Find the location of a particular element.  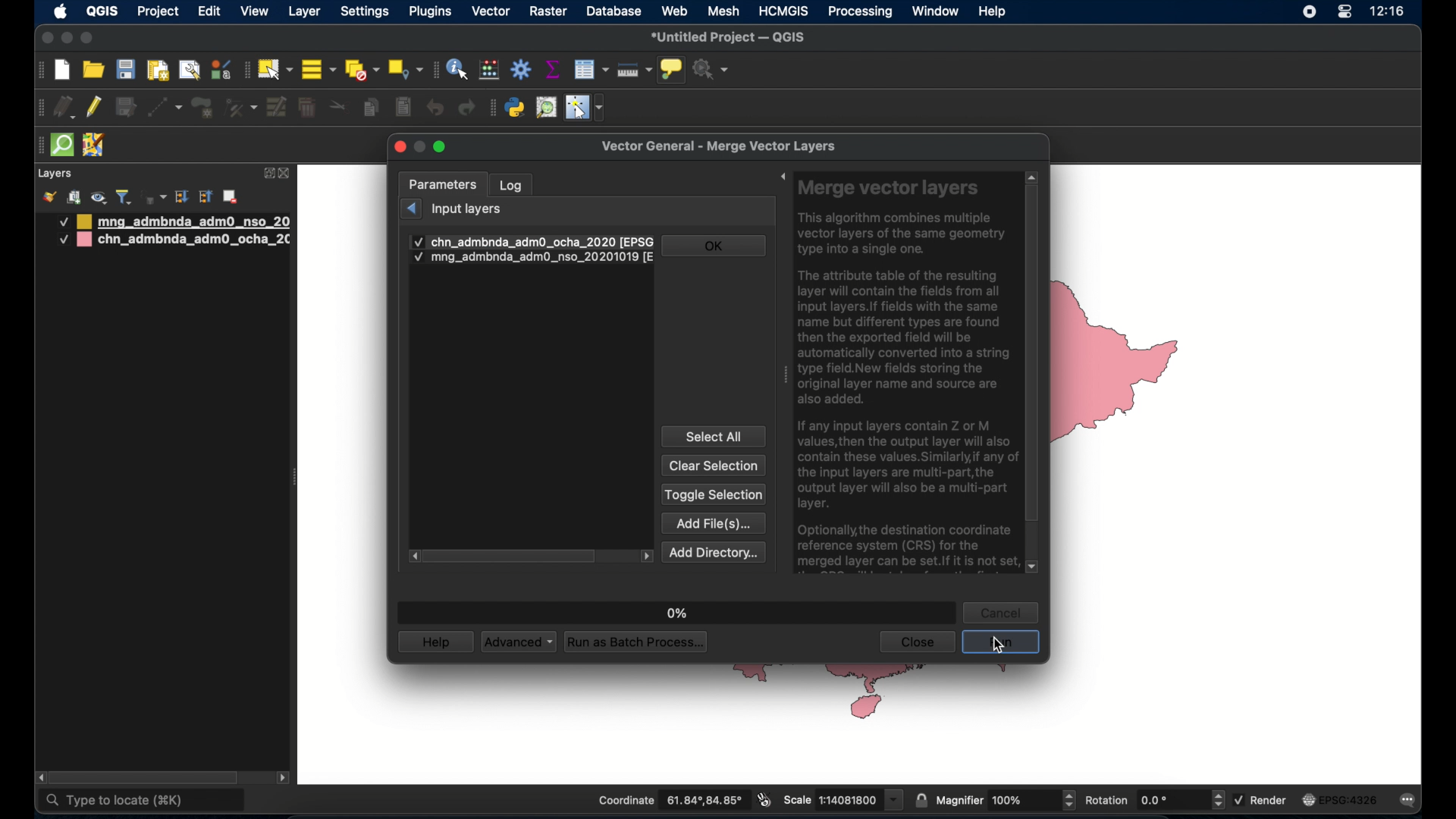

switches mouse to configurable pointer is located at coordinates (586, 108).